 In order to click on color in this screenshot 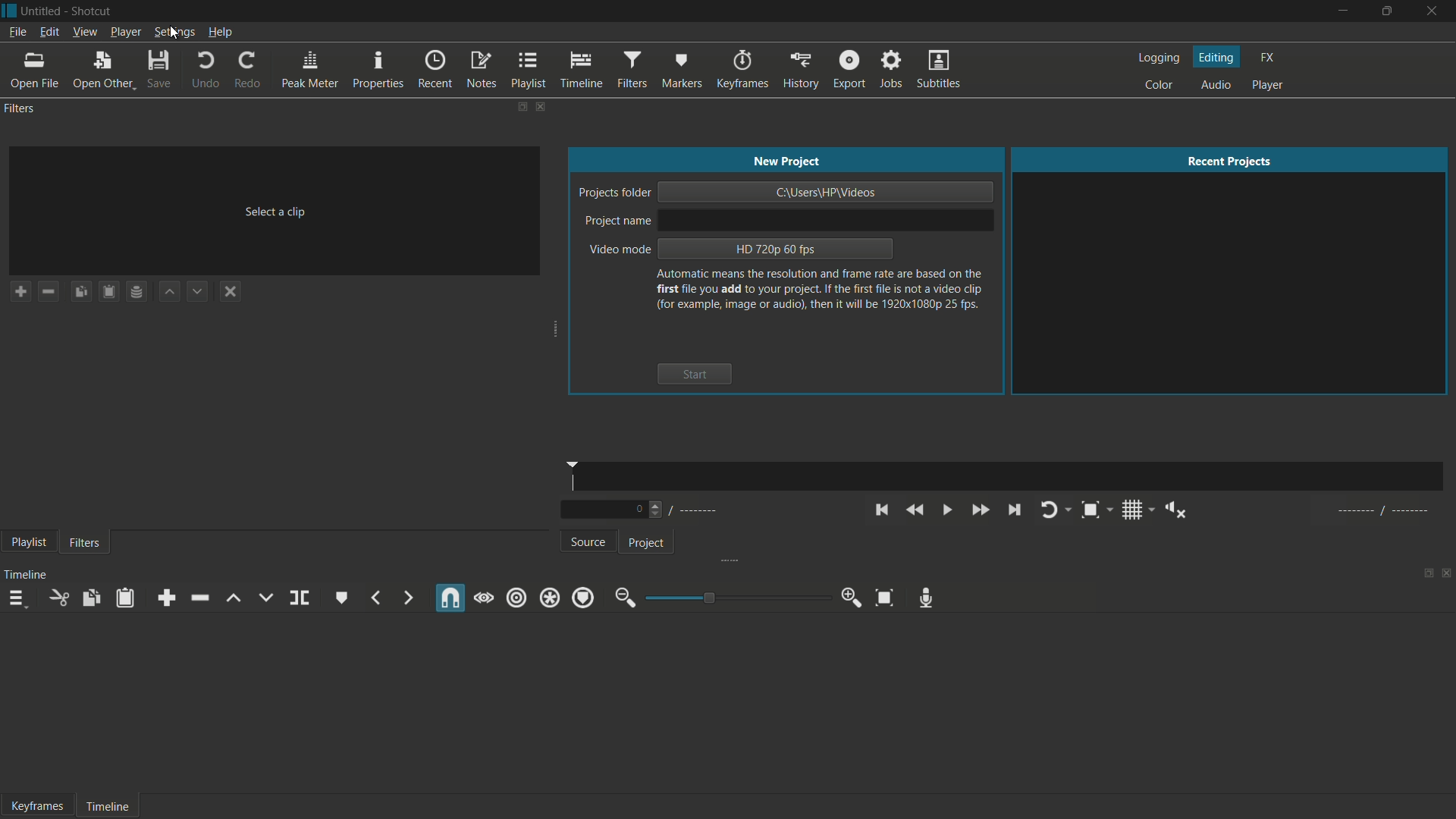, I will do `click(1159, 86)`.